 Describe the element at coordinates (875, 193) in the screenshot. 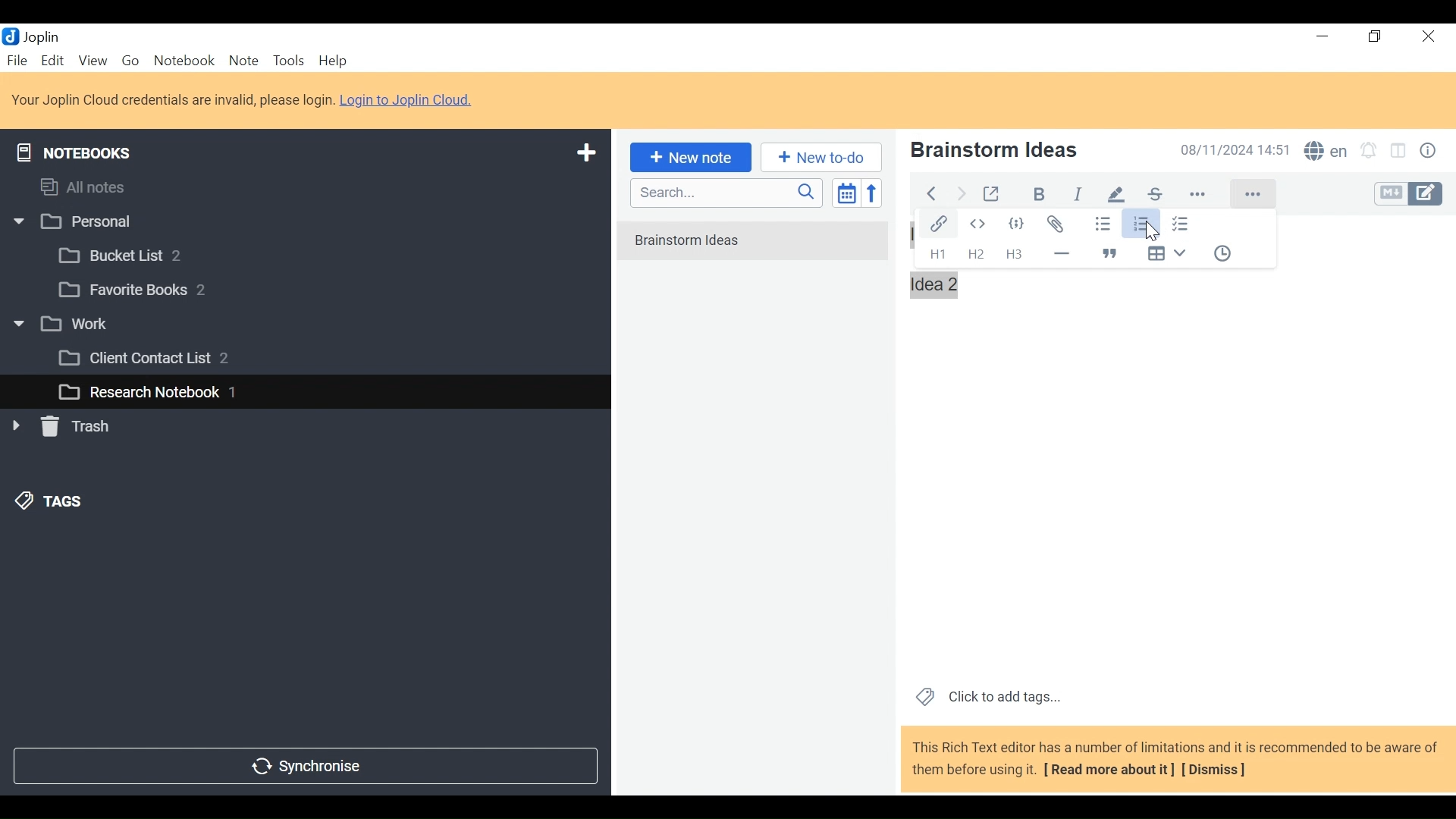

I see `Reverse Sort order` at that location.